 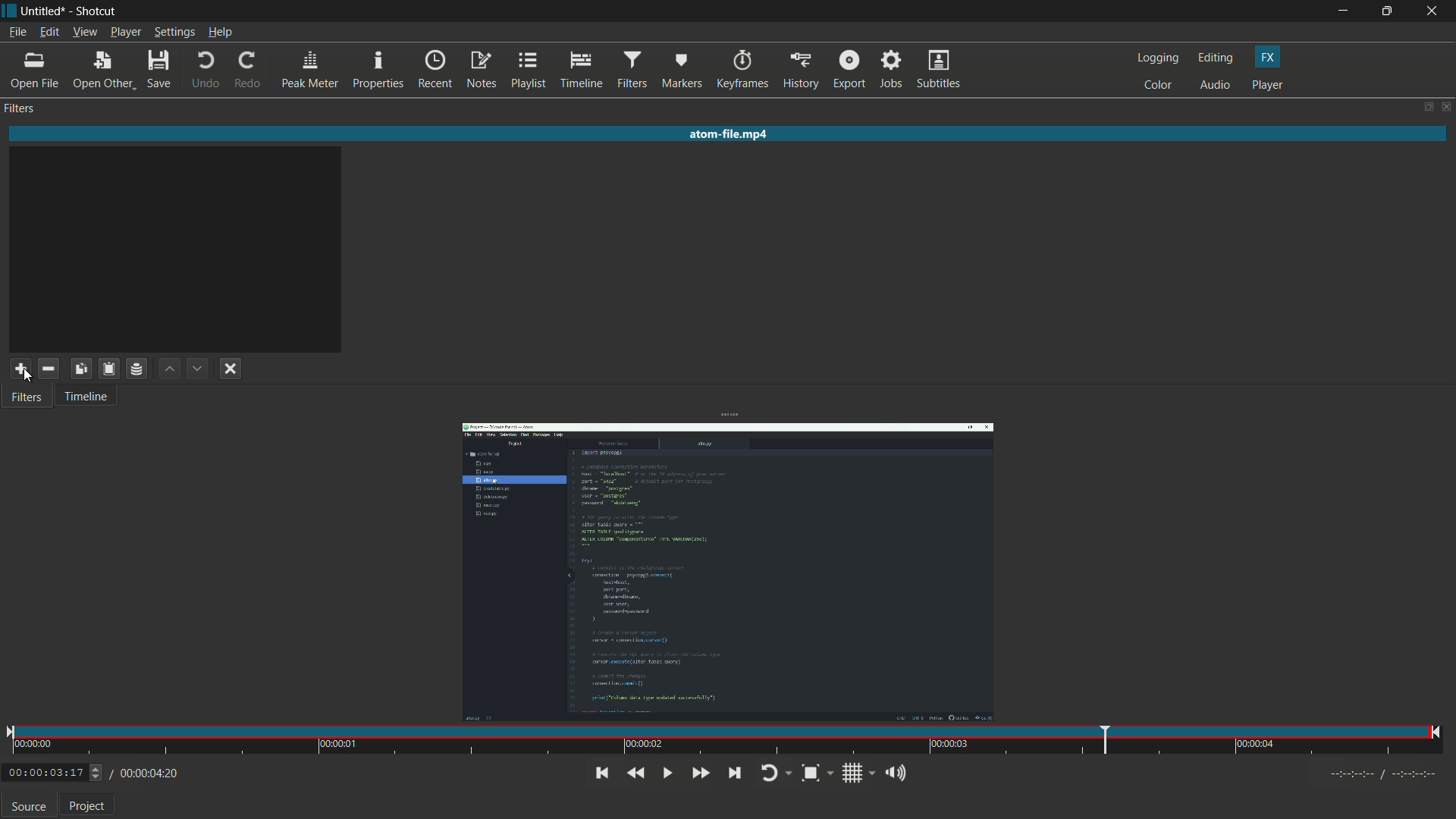 I want to click on skip to next point, so click(x=734, y=773).